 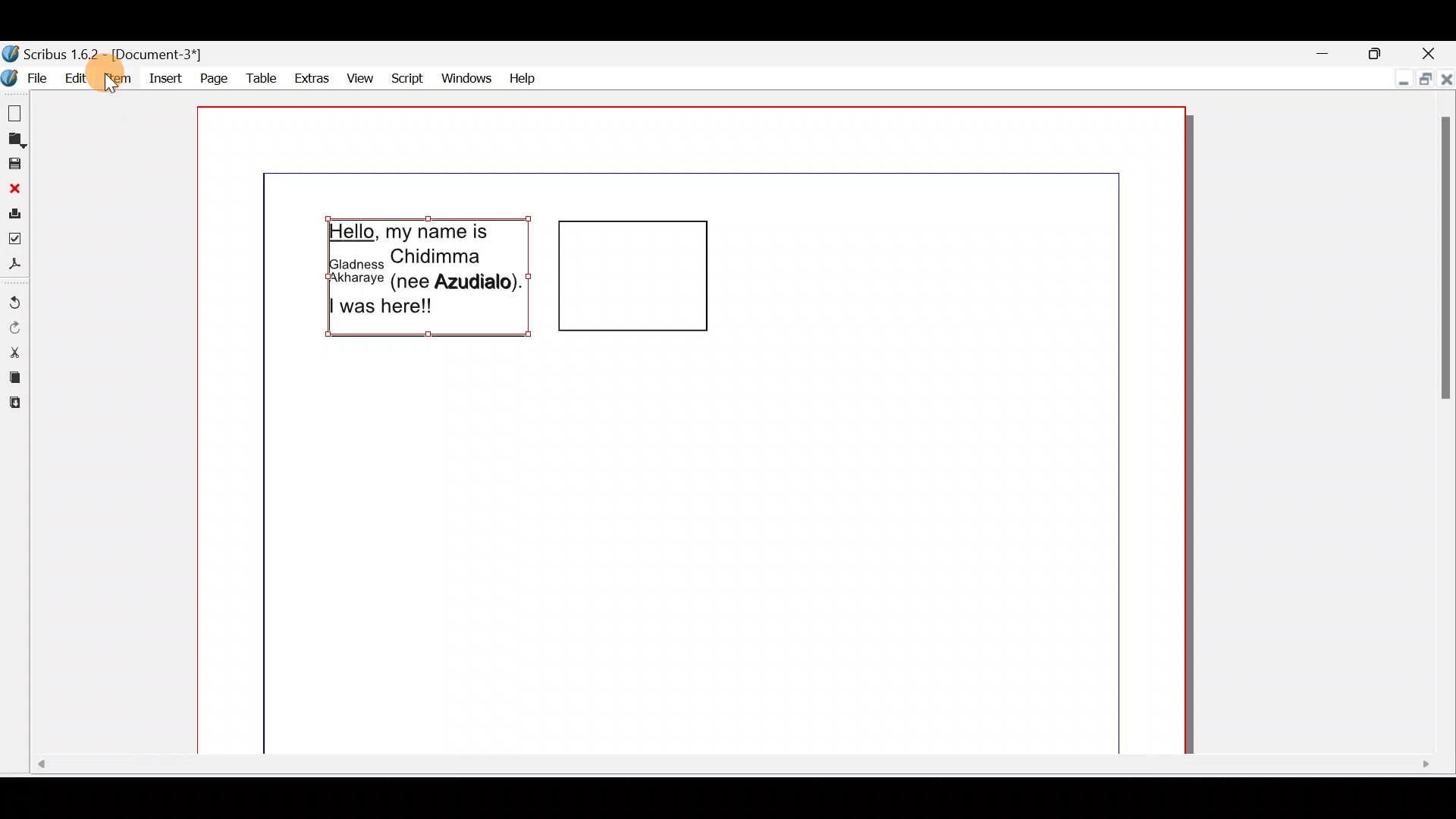 What do you see at coordinates (467, 77) in the screenshot?
I see `Windows` at bounding box center [467, 77].